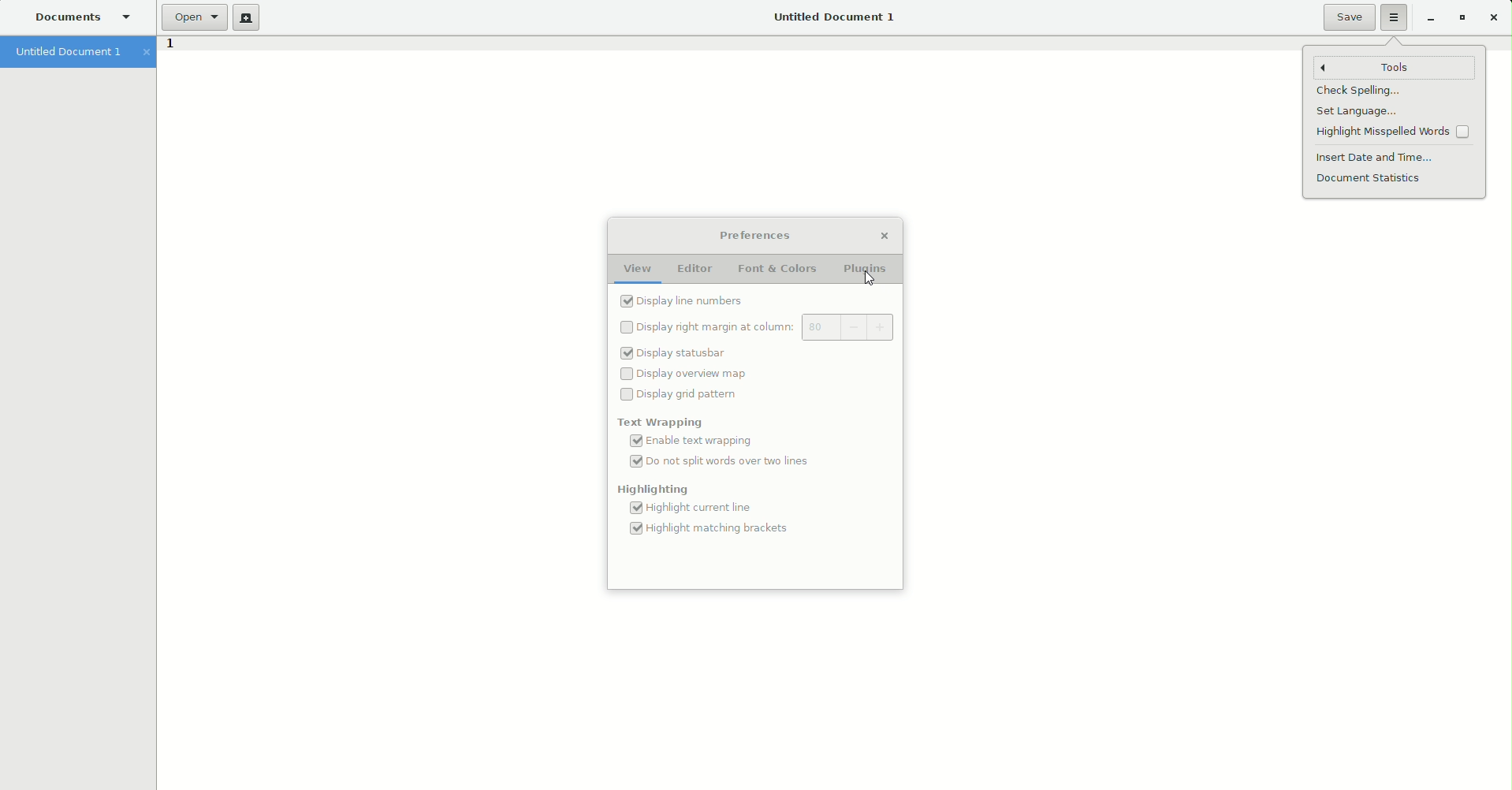 This screenshot has width=1512, height=790. Describe the element at coordinates (697, 441) in the screenshot. I see `Enable text wrapping` at that location.